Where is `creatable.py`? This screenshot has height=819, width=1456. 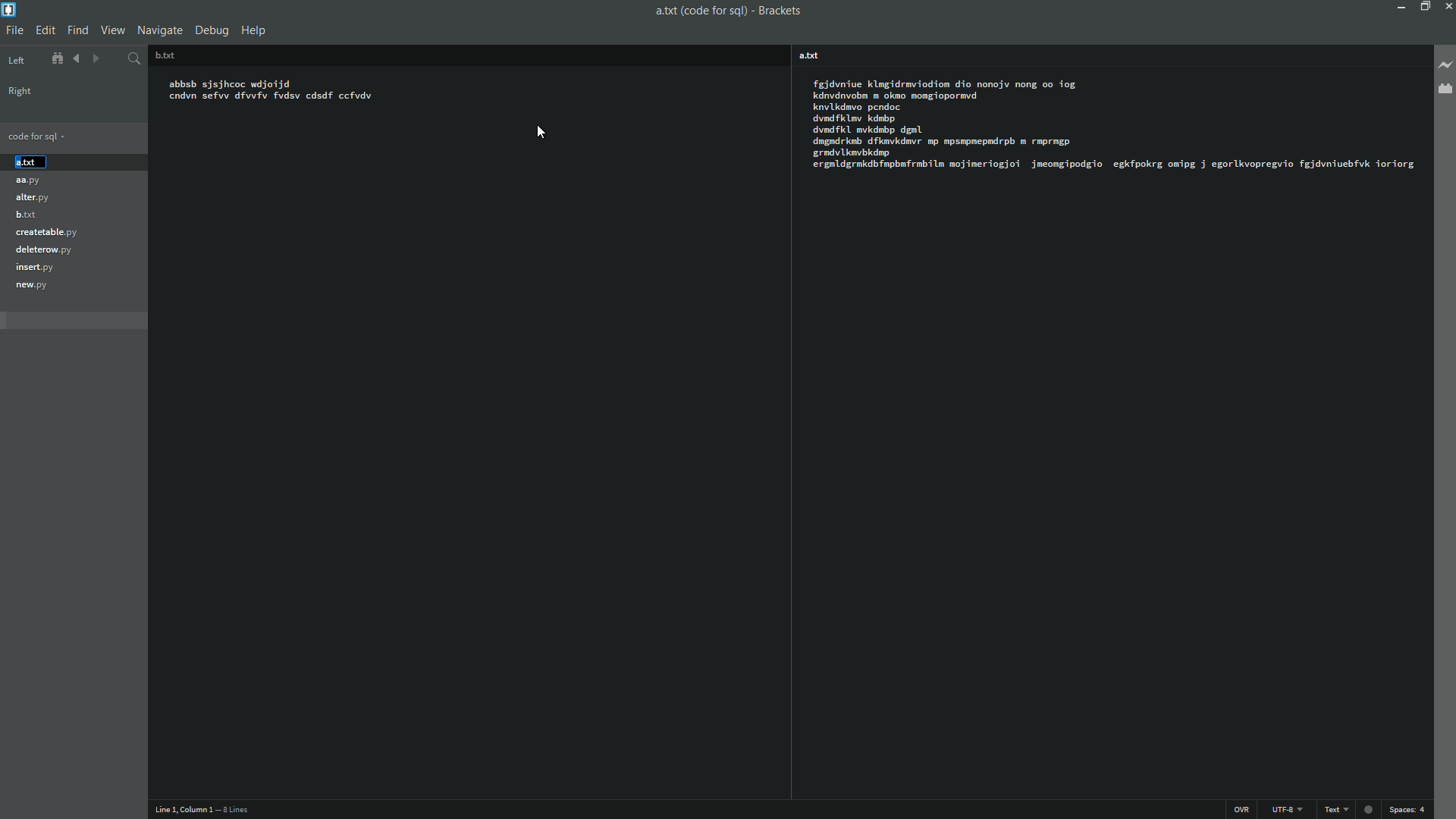 creatable.py is located at coordinates (46, 234).